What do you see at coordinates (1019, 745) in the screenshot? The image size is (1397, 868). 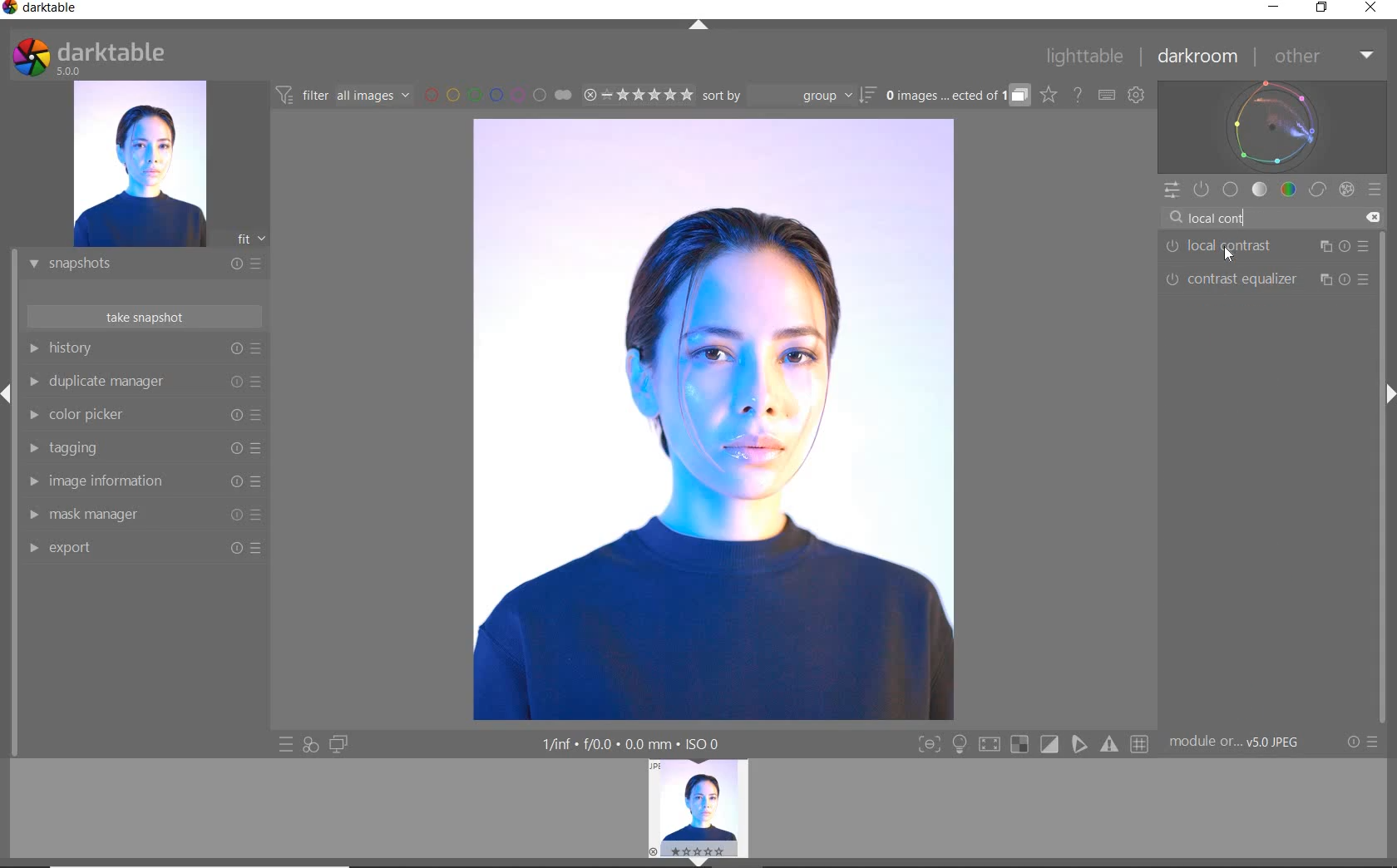 I see `Button` at bounding box center [1019, 745].